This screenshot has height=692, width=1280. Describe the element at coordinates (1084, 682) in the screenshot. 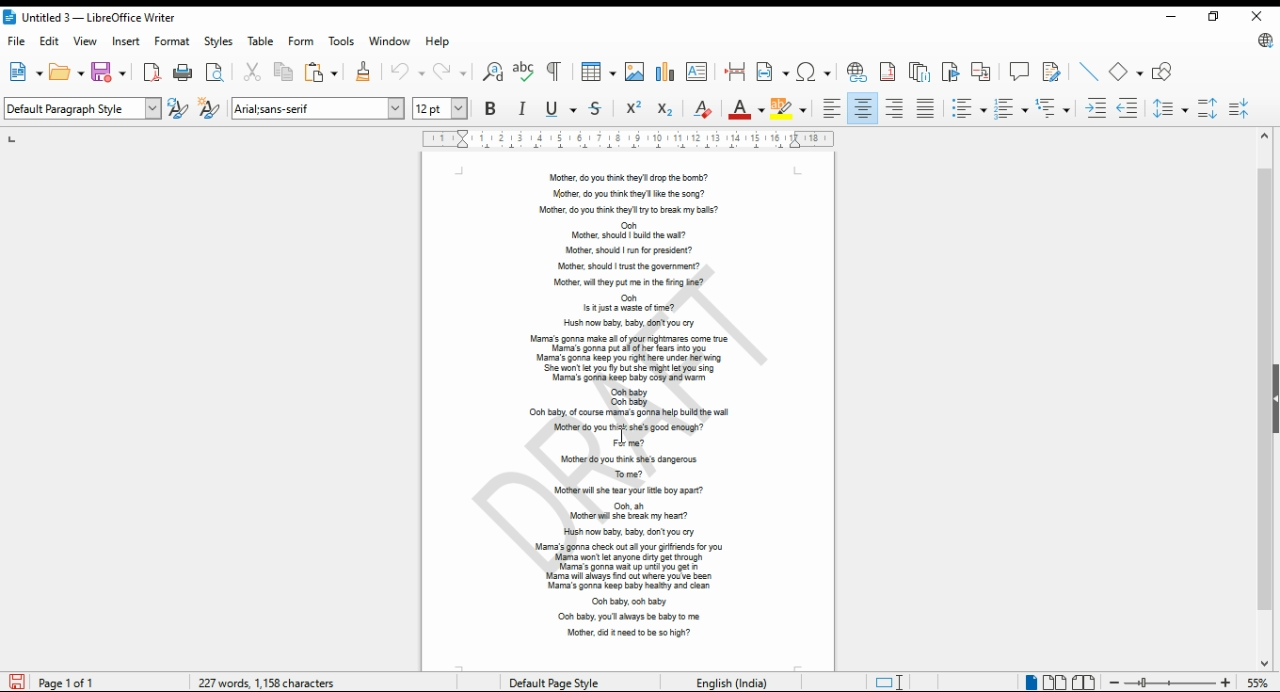

I see `book view` at that location.